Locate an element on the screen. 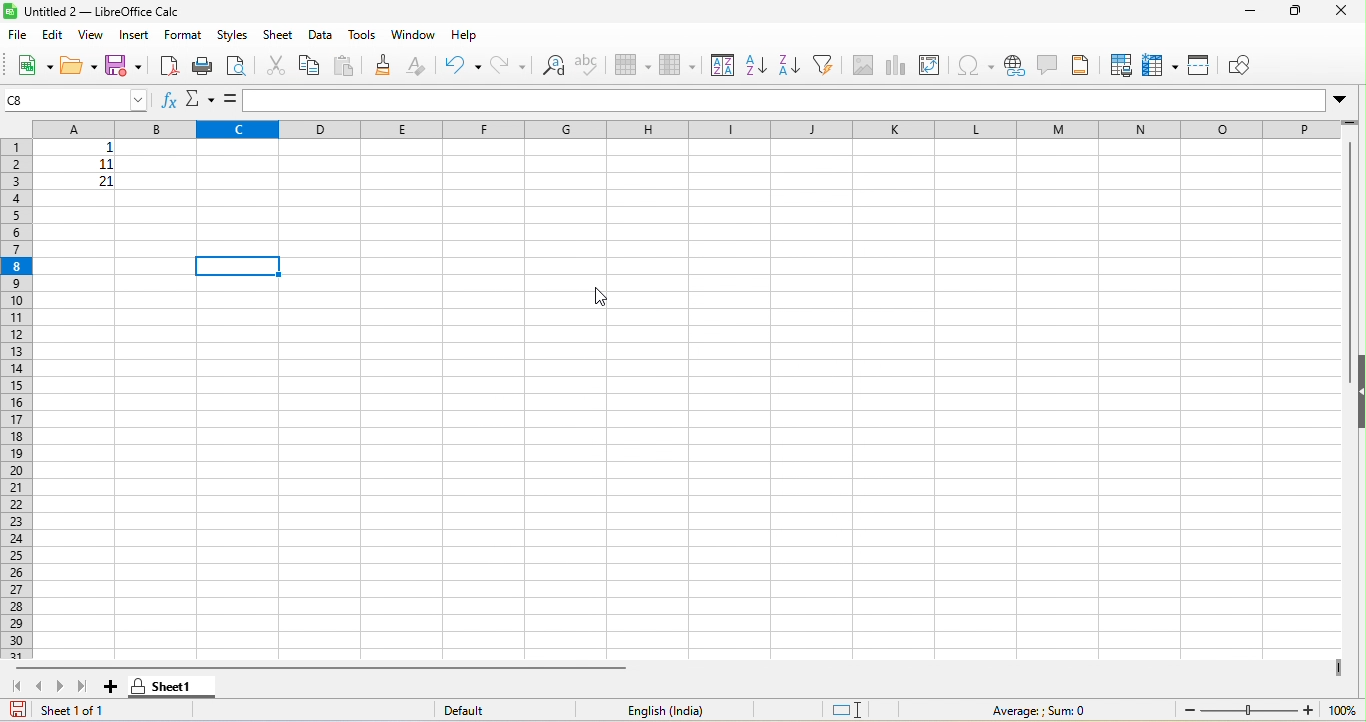 The image size is (1366, 722). help is located at coordinates (471, 35).